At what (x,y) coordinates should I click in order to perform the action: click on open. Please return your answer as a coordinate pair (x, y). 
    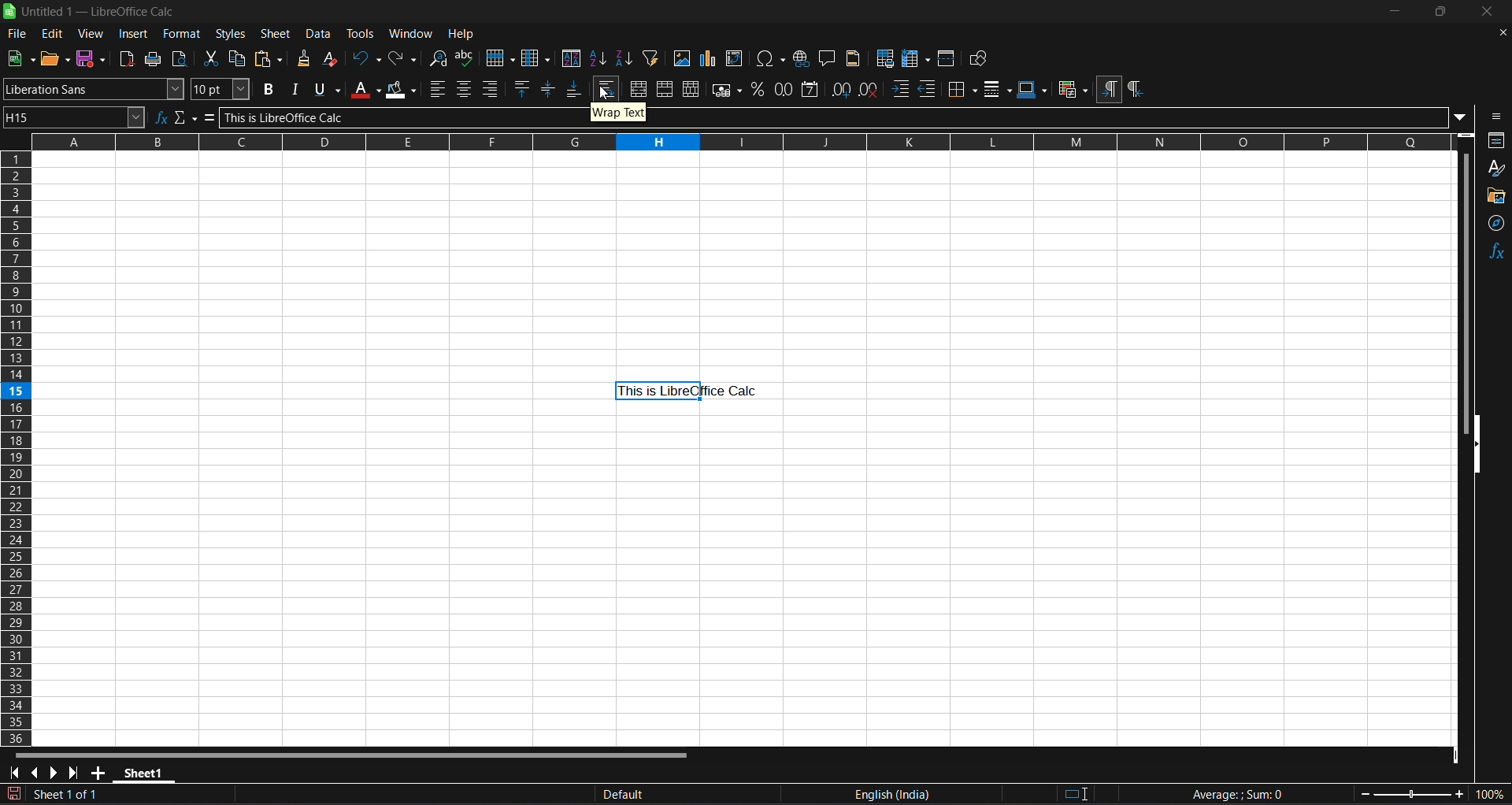
    Looking at the image, I should click on (54, 58).